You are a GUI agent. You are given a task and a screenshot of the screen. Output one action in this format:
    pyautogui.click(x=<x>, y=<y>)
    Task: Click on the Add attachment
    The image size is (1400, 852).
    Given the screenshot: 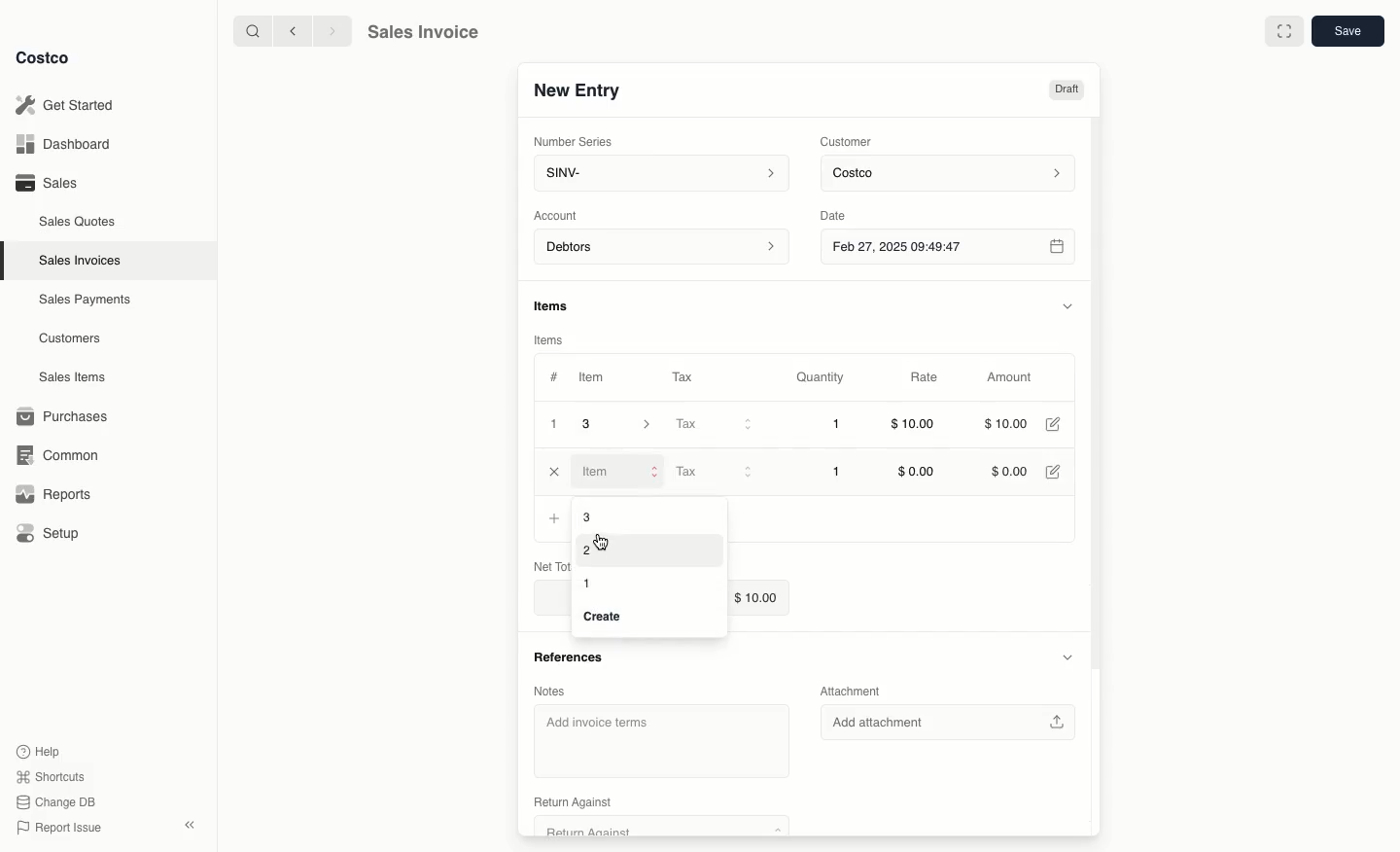 What is the action you would take?
    pyautogui.click(x=953, y=722)
    